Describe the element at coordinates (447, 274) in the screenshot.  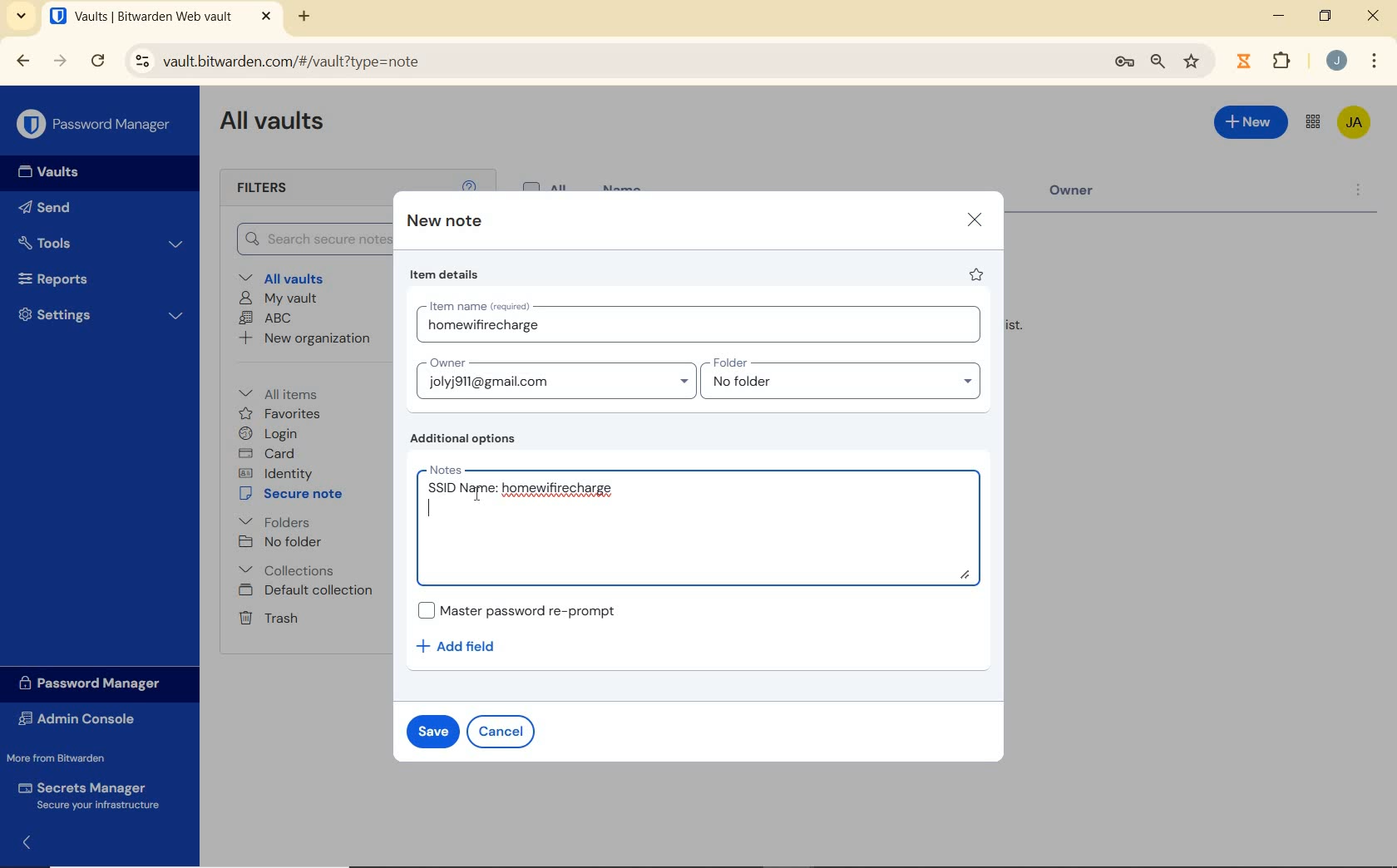
I see `item details` at that location.